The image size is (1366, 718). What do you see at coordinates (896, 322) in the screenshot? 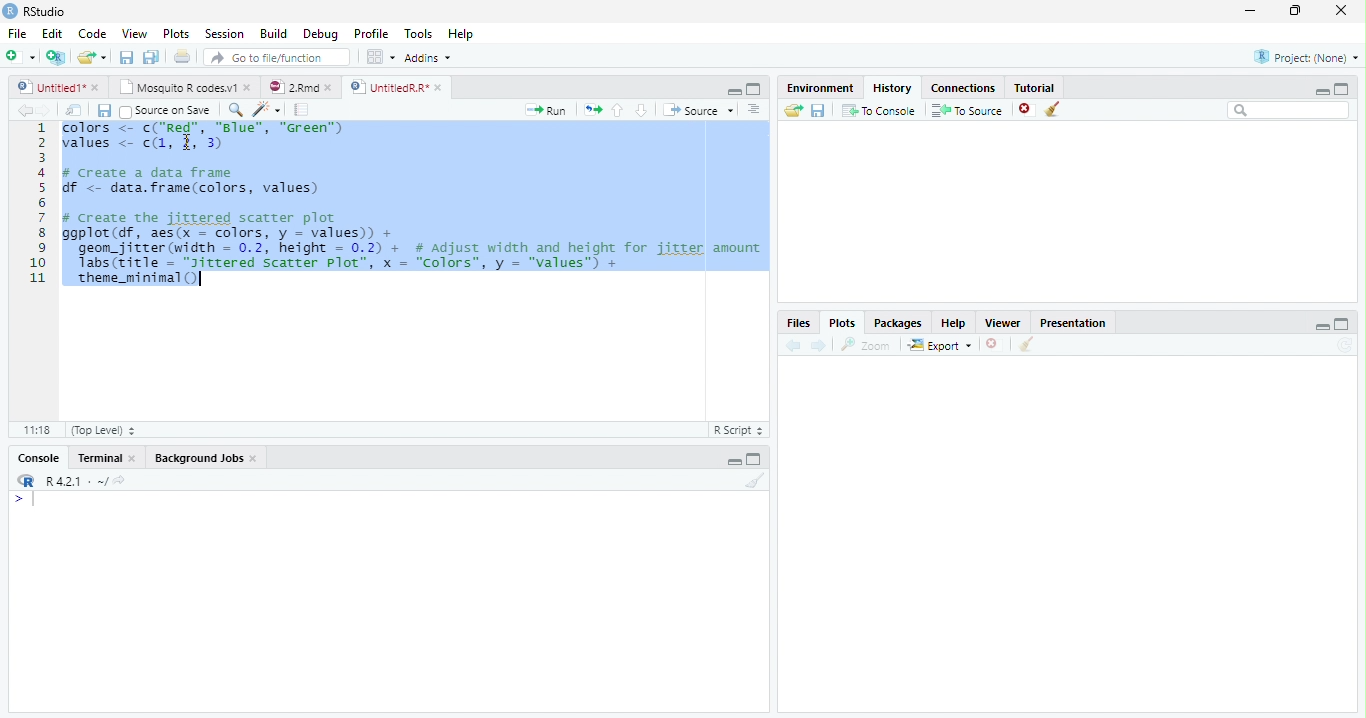
I see `Packages` at bounding box center [896, 322].